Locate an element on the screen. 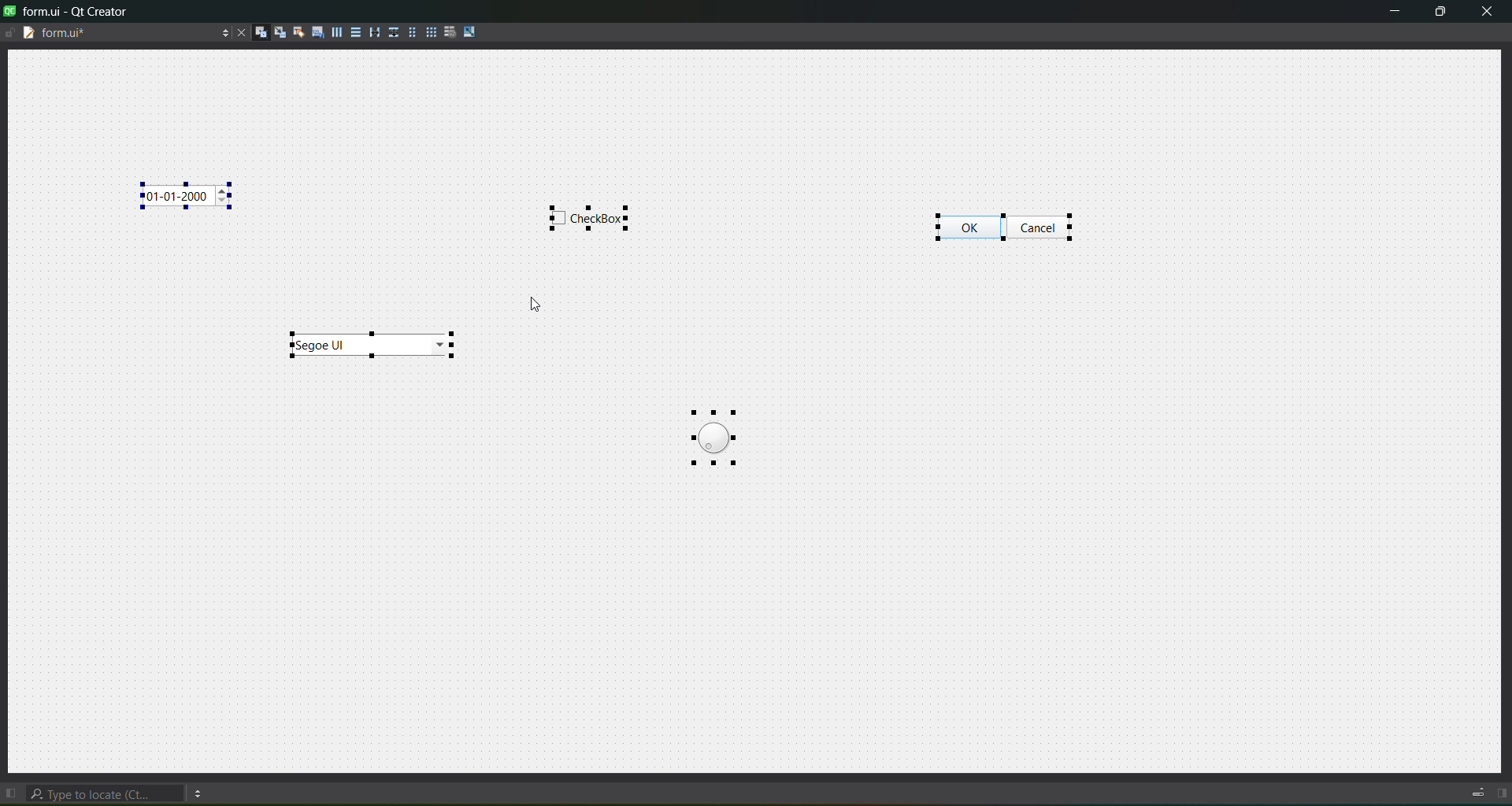 This screenshot has height=806, width=1512. cursor is located at coordinates (538, 308).